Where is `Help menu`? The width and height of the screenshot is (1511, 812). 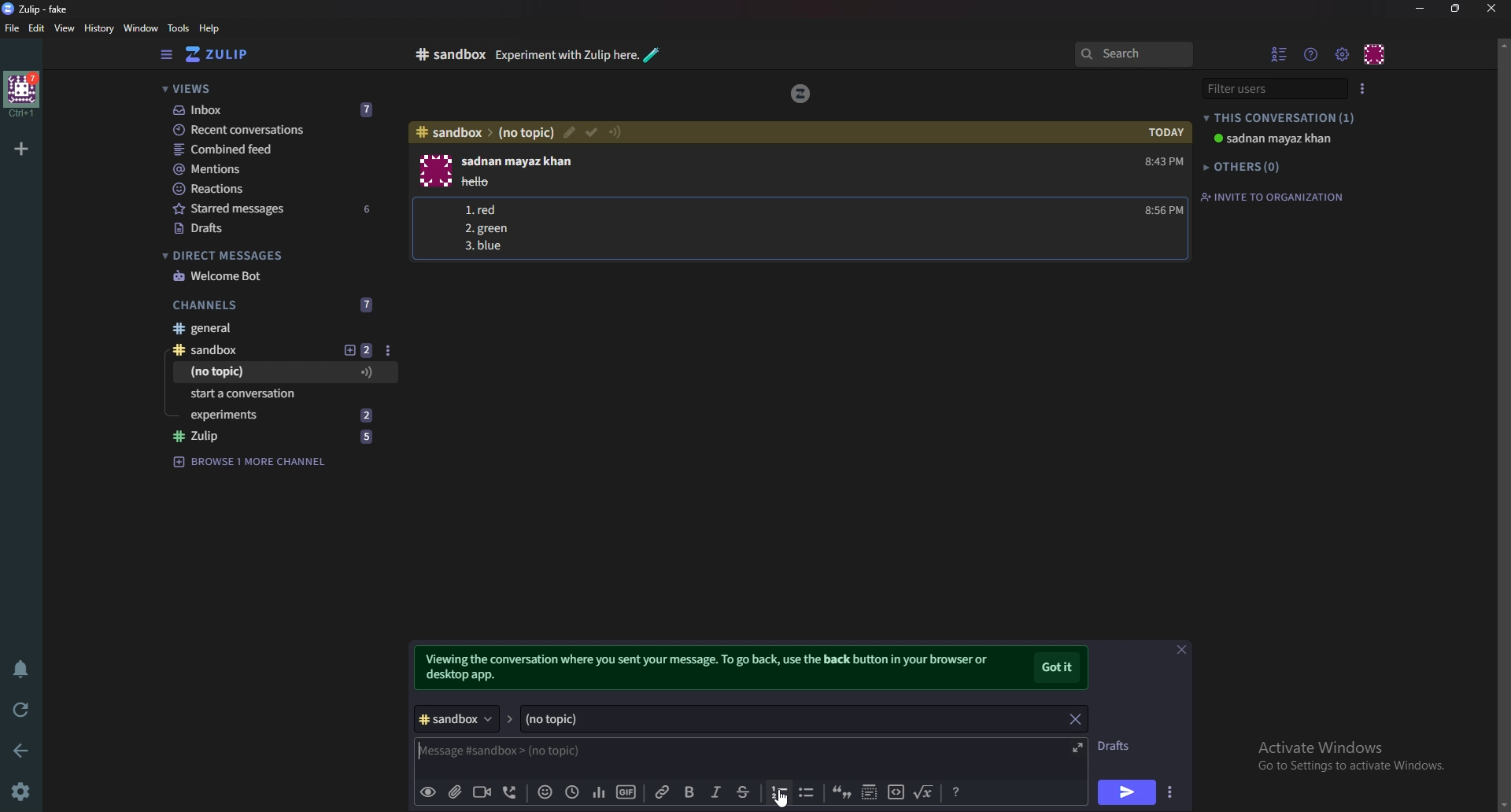 Help menu is located at coordinates (1313, 54).